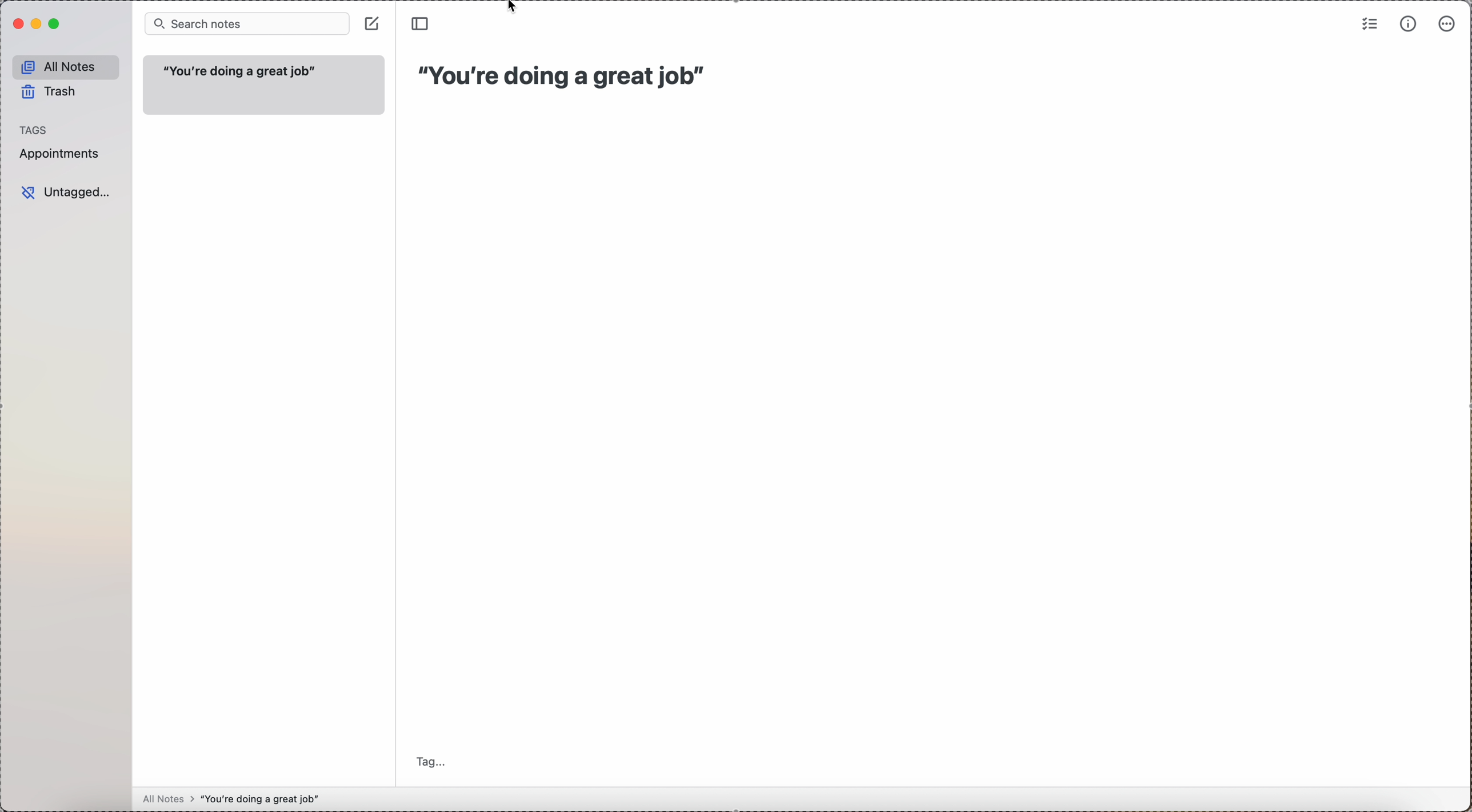  I want to click on maximize, so click(56, 24).